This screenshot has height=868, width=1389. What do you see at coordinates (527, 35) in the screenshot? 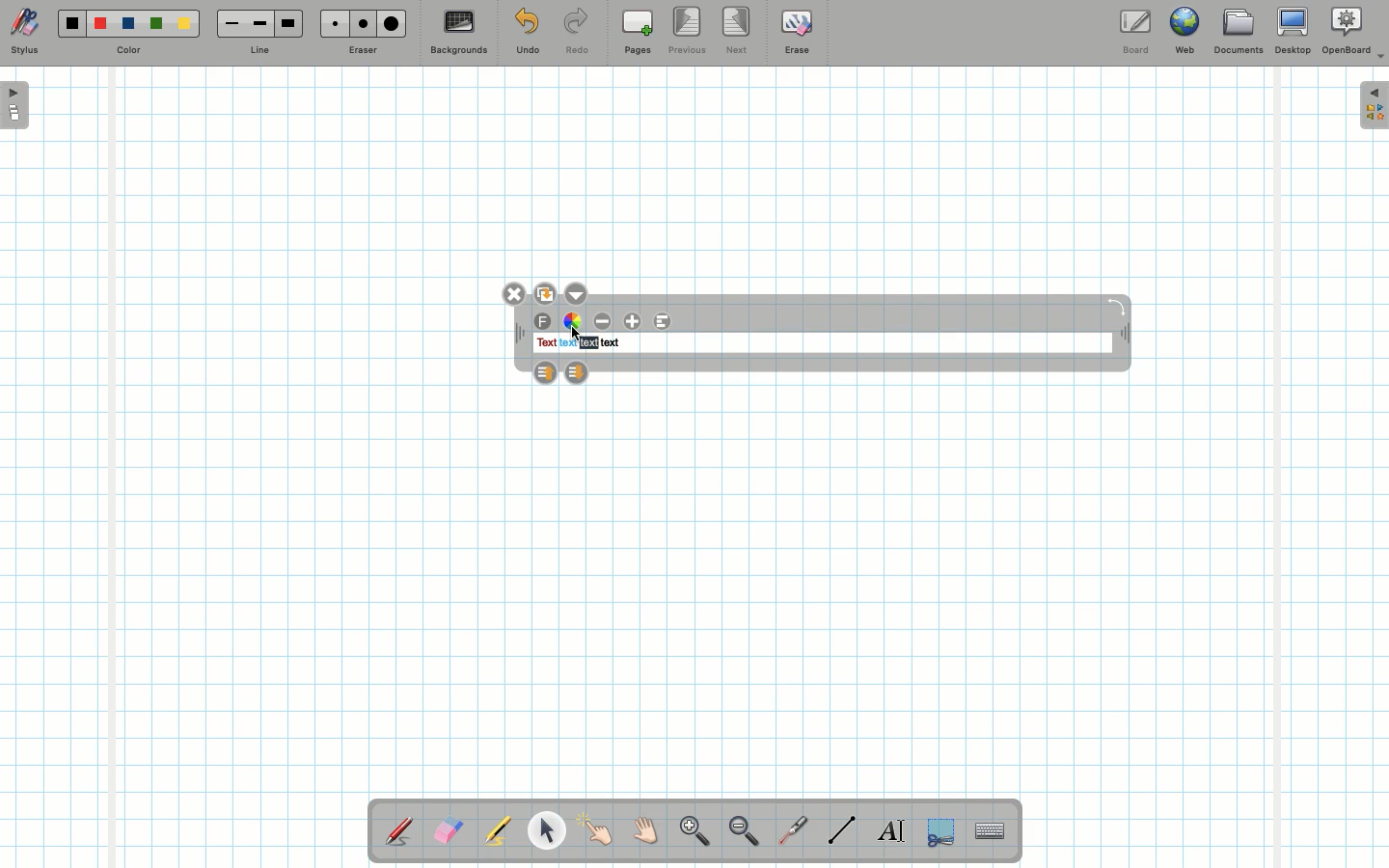
I see `Undo` at bounding box center [527, 35].